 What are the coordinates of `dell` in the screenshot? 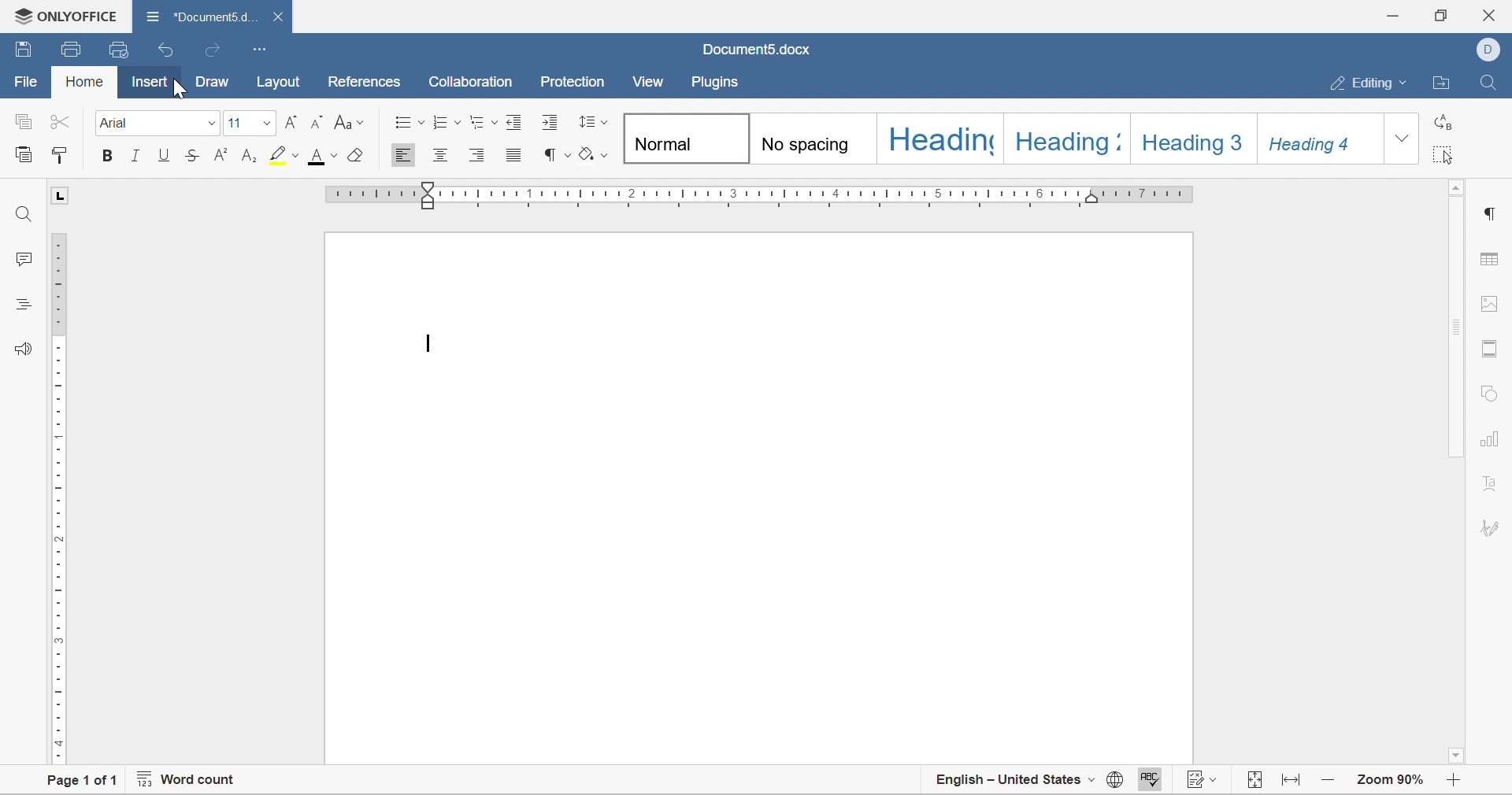 It's located at (1491, 50).